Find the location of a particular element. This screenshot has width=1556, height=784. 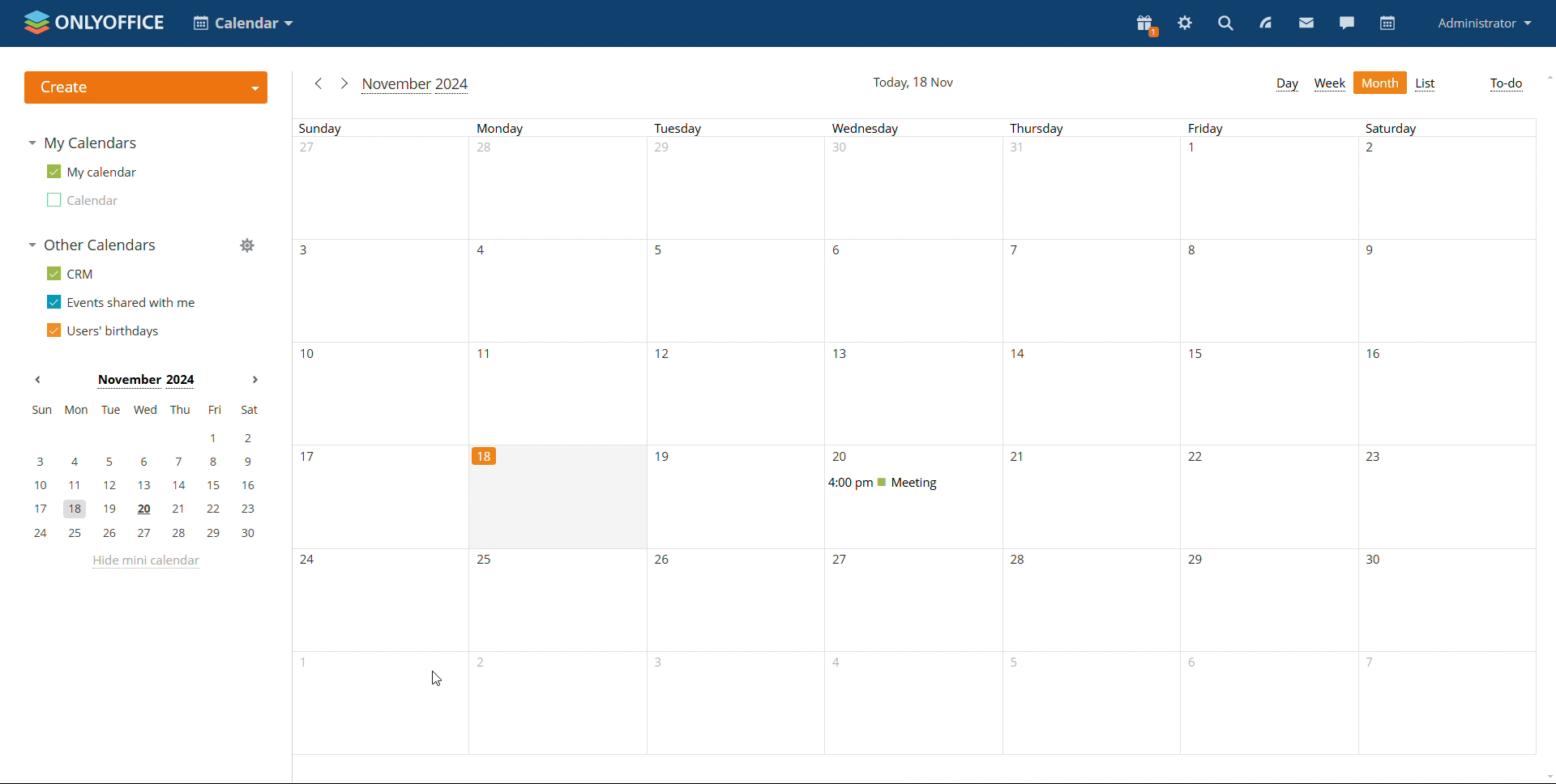

chat is located at coordinates (1346, 23).